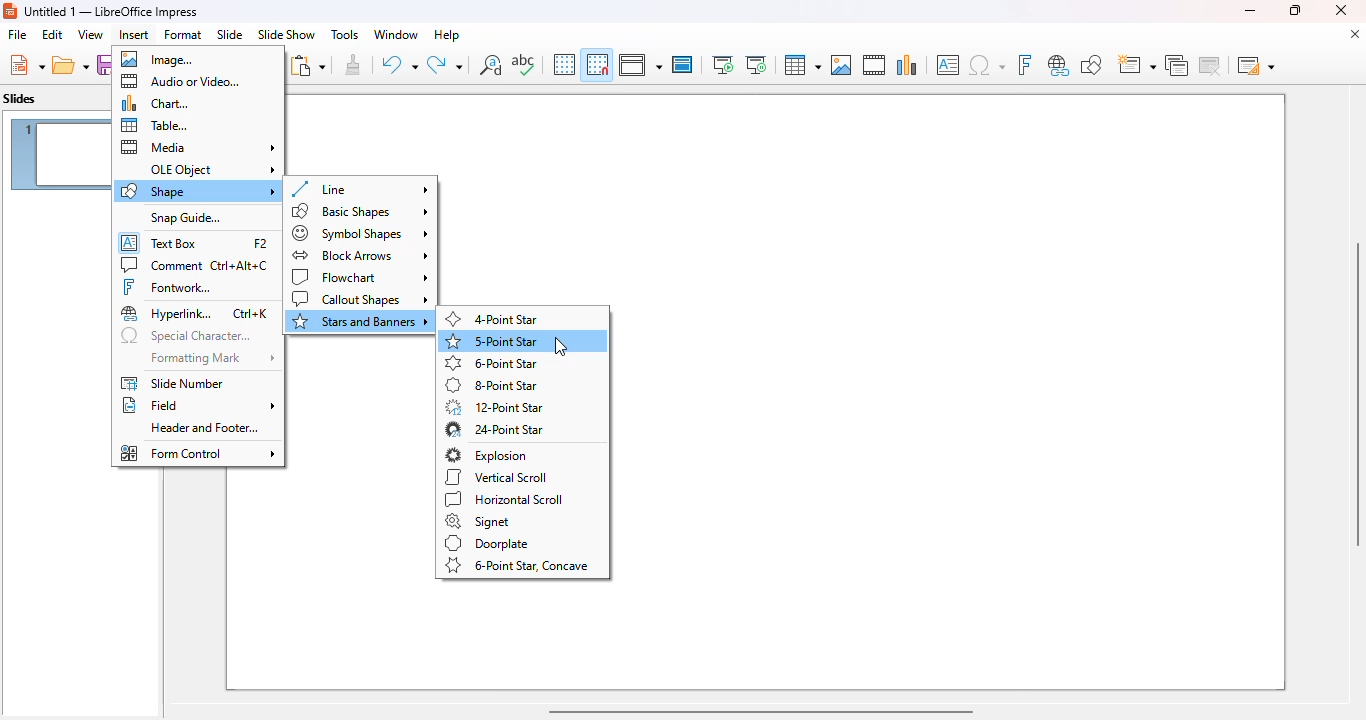  What do you see at coordinates (1090, 64) in the screenshot?
I see `show draw functions` at bounding box center [1090, 64].